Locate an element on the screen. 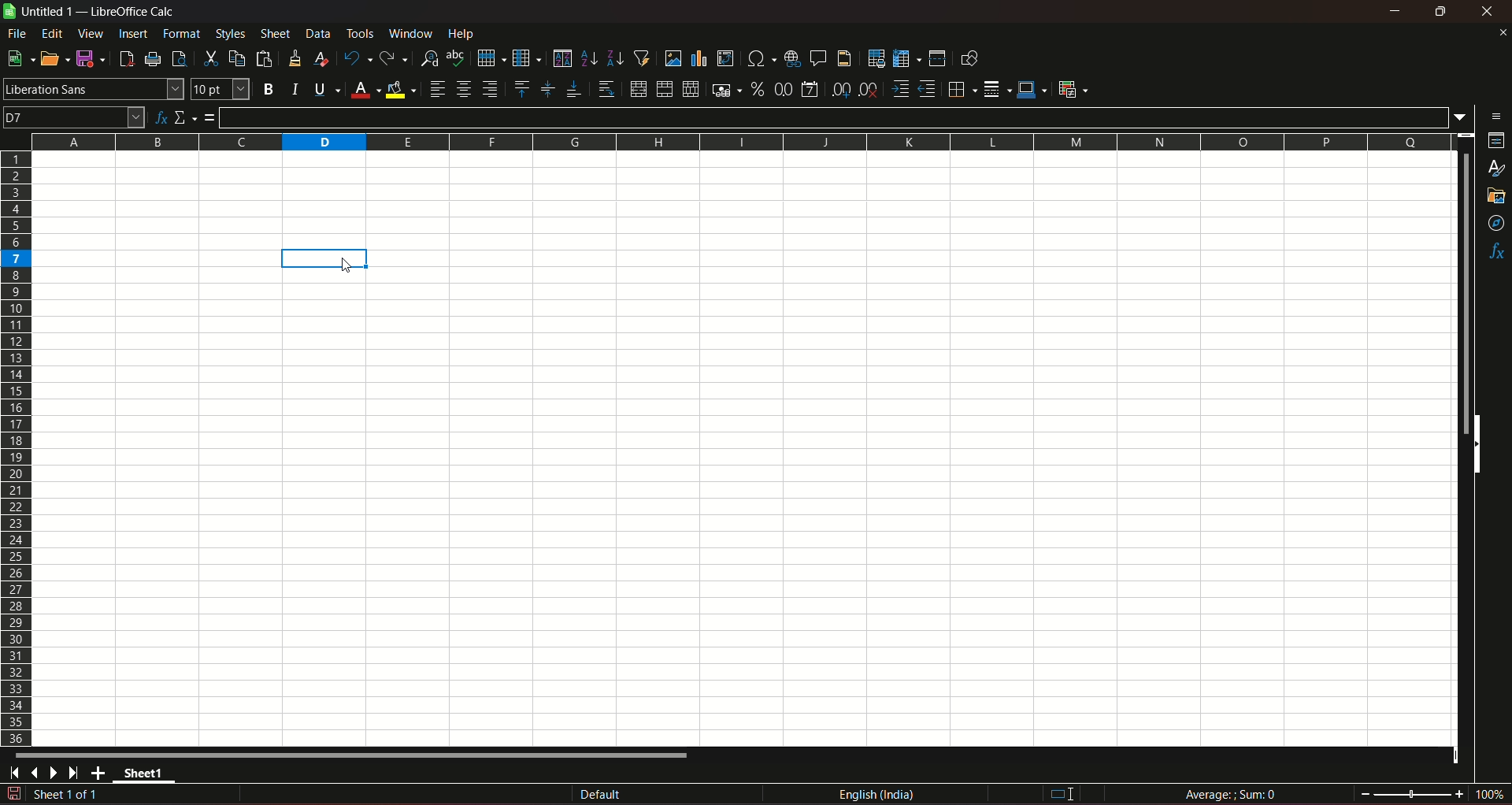 This screenshot has width=1512, height=805. scroll to first is located at coordinates (9, 775).